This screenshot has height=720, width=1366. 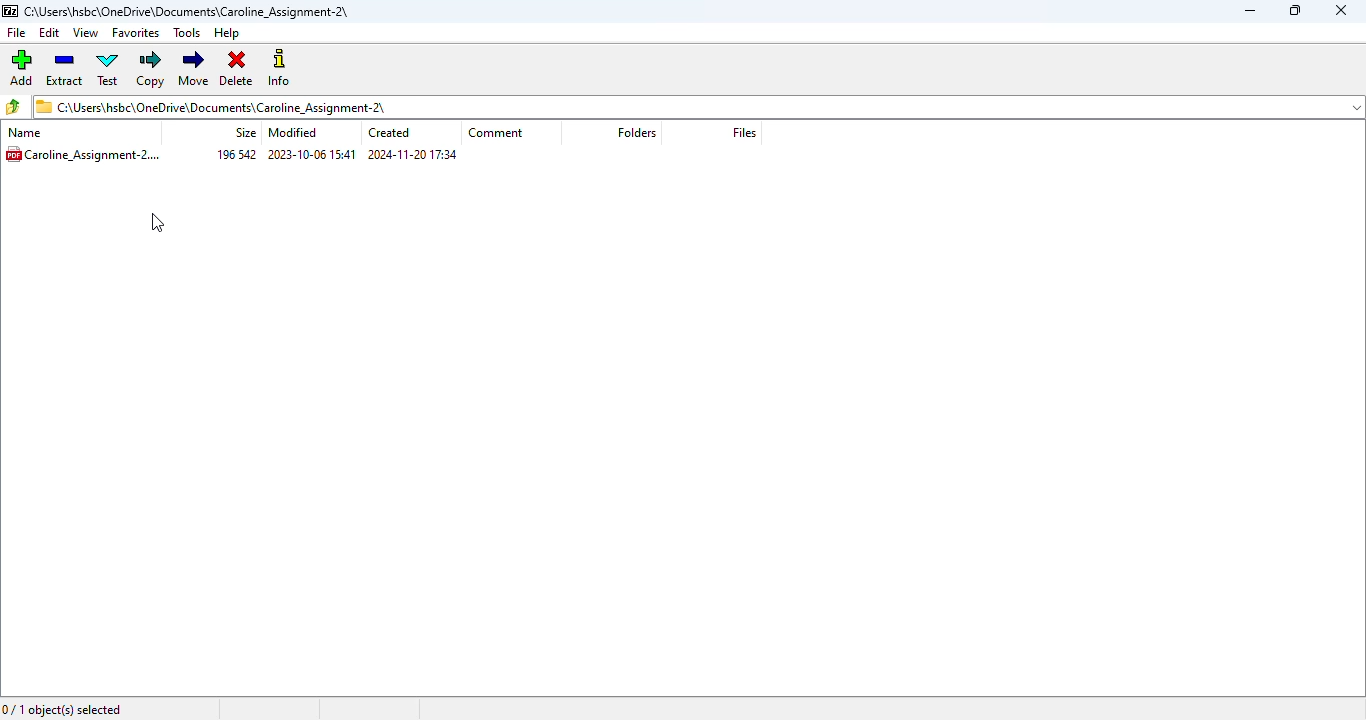 I want to click on cursor, so click(x=157, y=223).